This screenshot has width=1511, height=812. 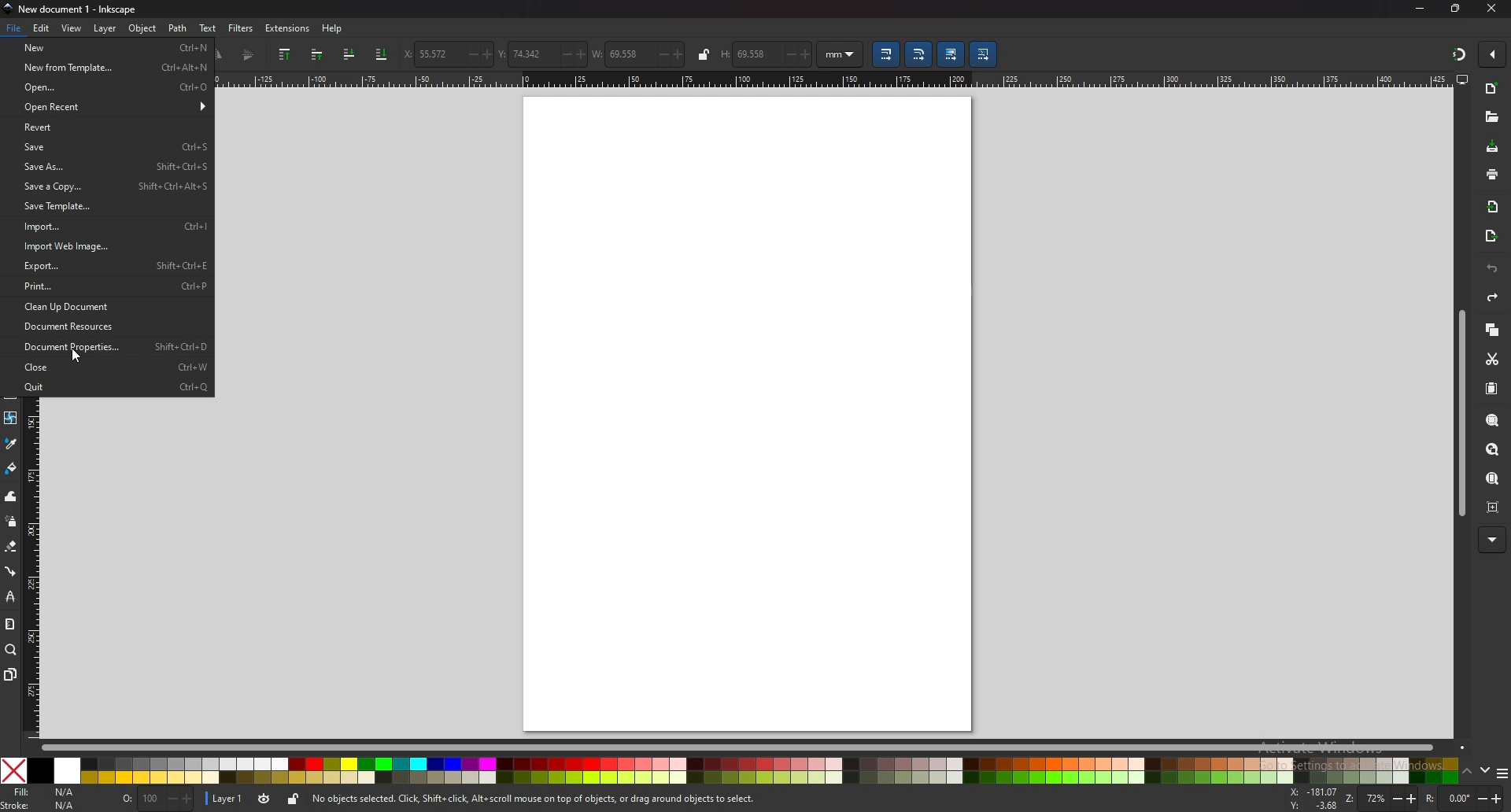 I want to click on Path, so click(x=176, y=28).